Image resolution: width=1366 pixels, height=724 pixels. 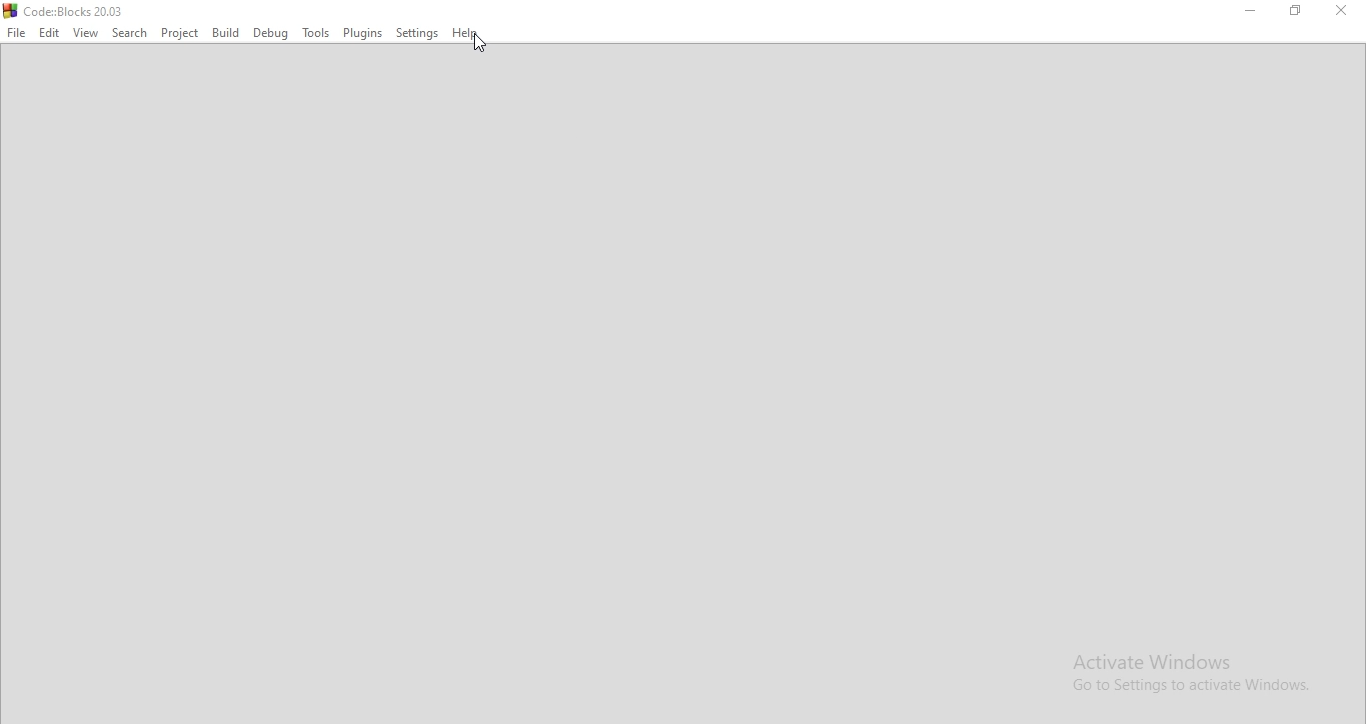 What do you see at coordinates (1252, 13) in the screenshot?
I see `Minimise` at bounding box center [1252, 13].